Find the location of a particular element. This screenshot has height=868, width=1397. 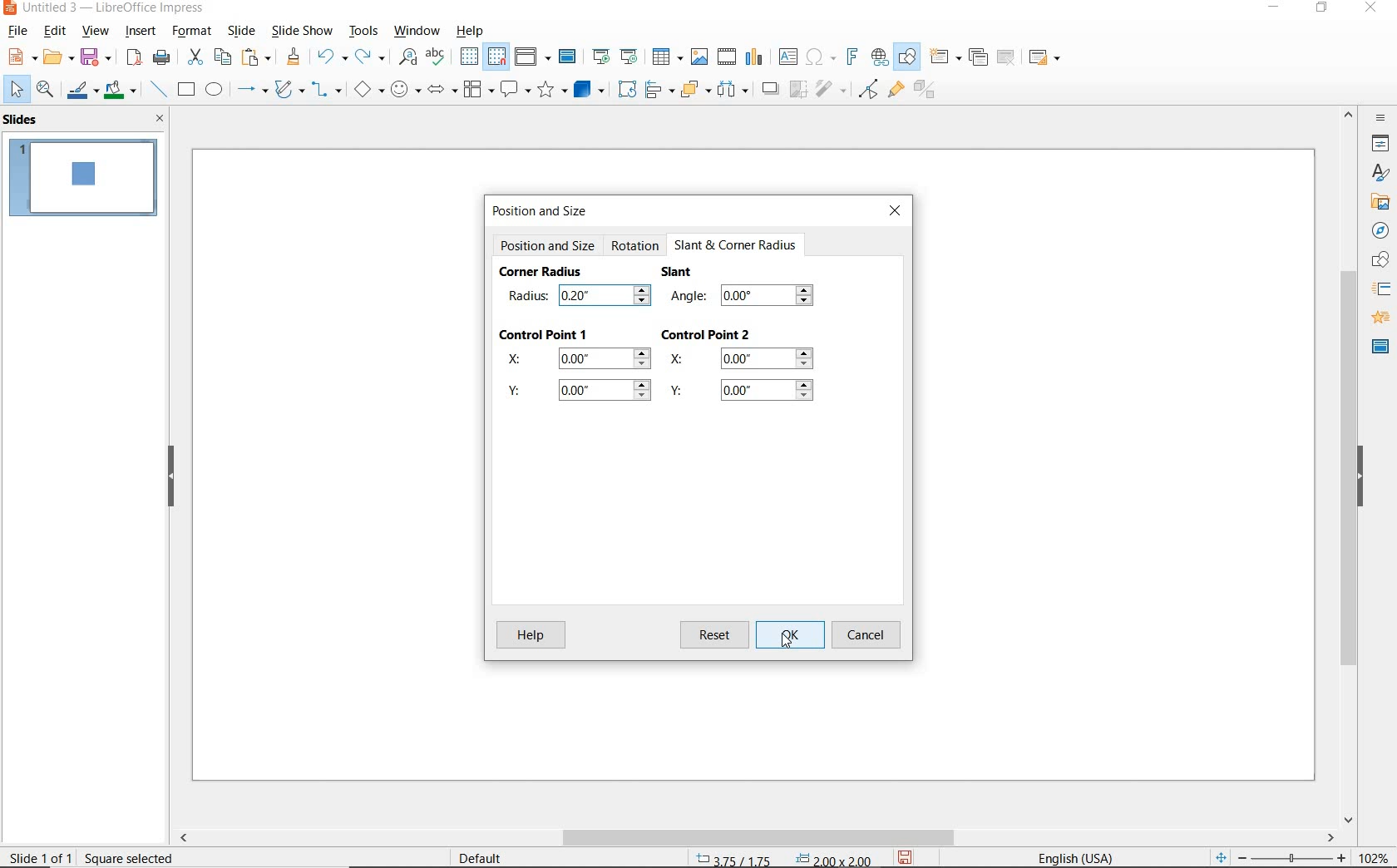

display view is located at coordinates (533, 57).